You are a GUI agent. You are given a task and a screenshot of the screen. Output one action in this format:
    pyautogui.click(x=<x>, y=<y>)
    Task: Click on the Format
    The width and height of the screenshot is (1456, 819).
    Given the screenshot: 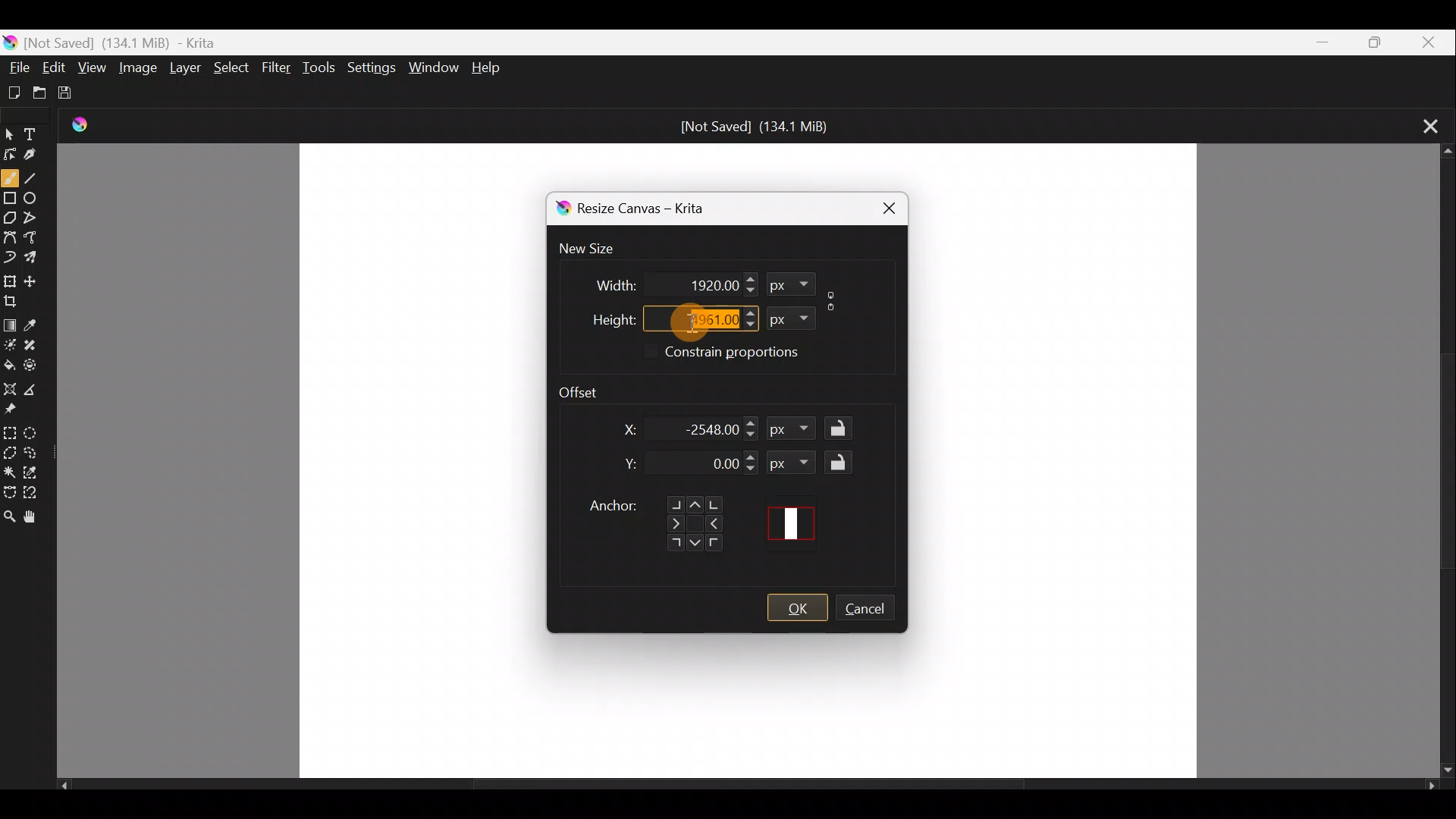 What is the action you would take?
    pyautogui.click(x=792, y=462)
    